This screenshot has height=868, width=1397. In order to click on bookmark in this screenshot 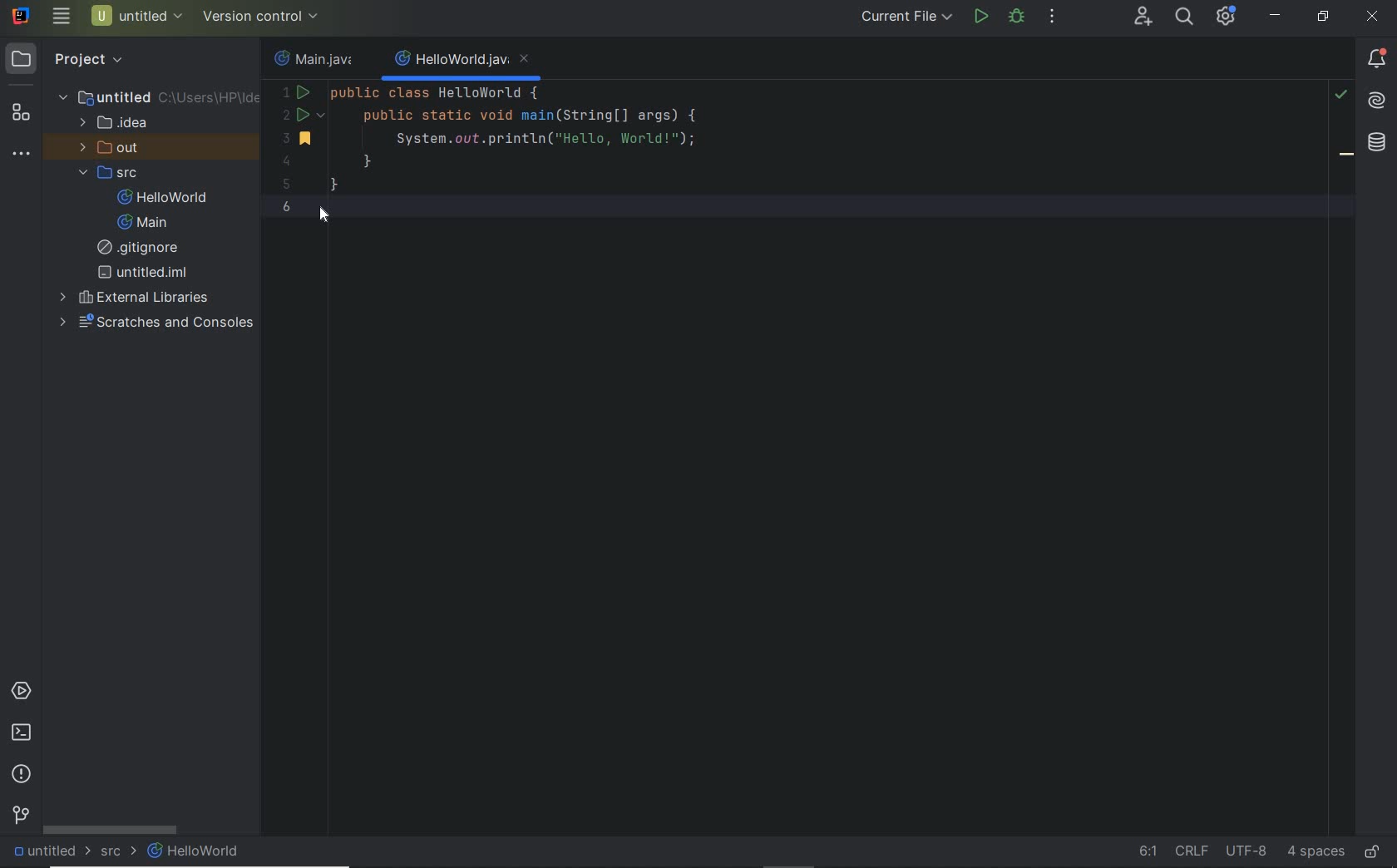, I will do `click(1347, 157)`.